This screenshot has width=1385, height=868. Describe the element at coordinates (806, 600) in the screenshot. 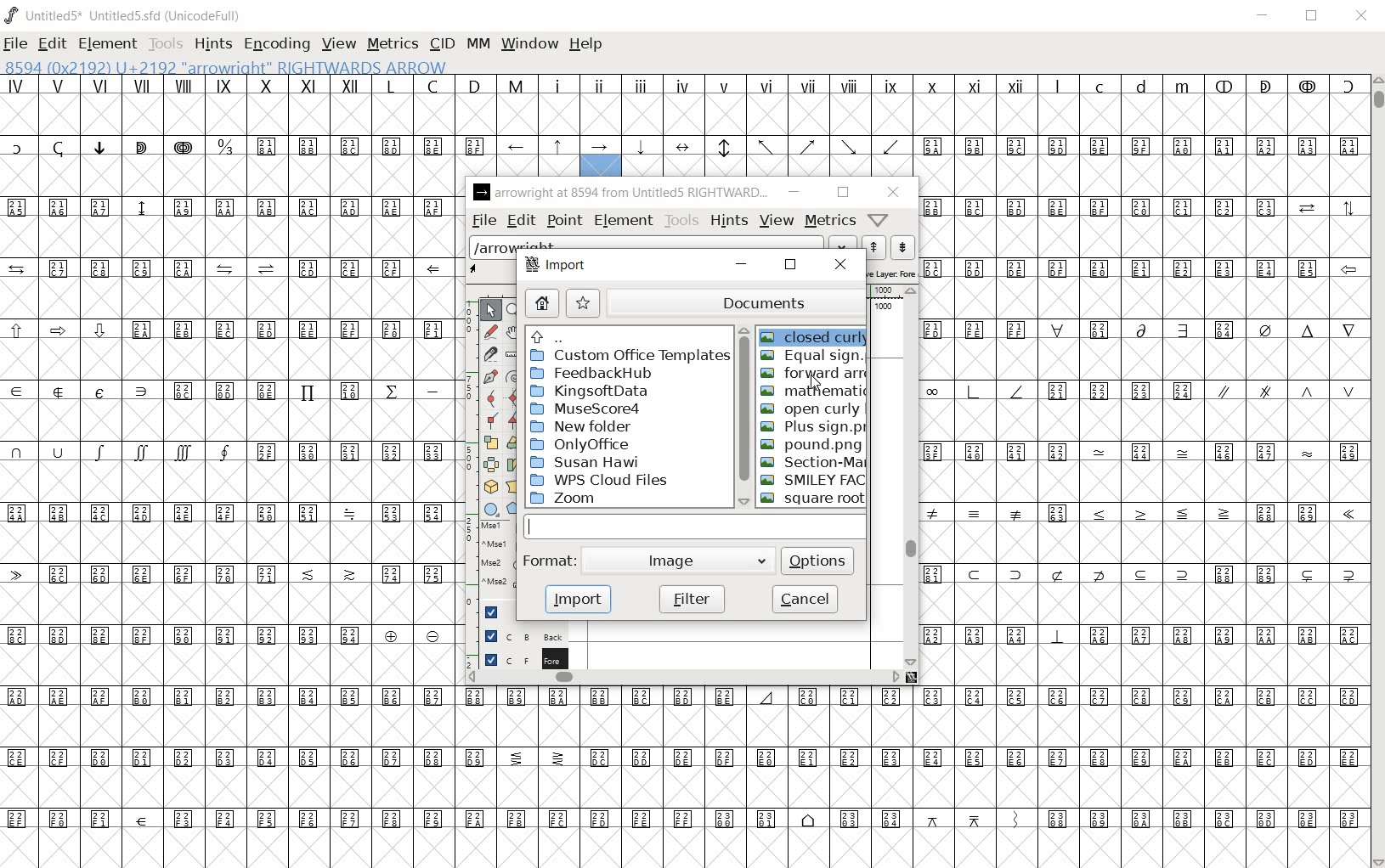

I see `cancel` at that location.